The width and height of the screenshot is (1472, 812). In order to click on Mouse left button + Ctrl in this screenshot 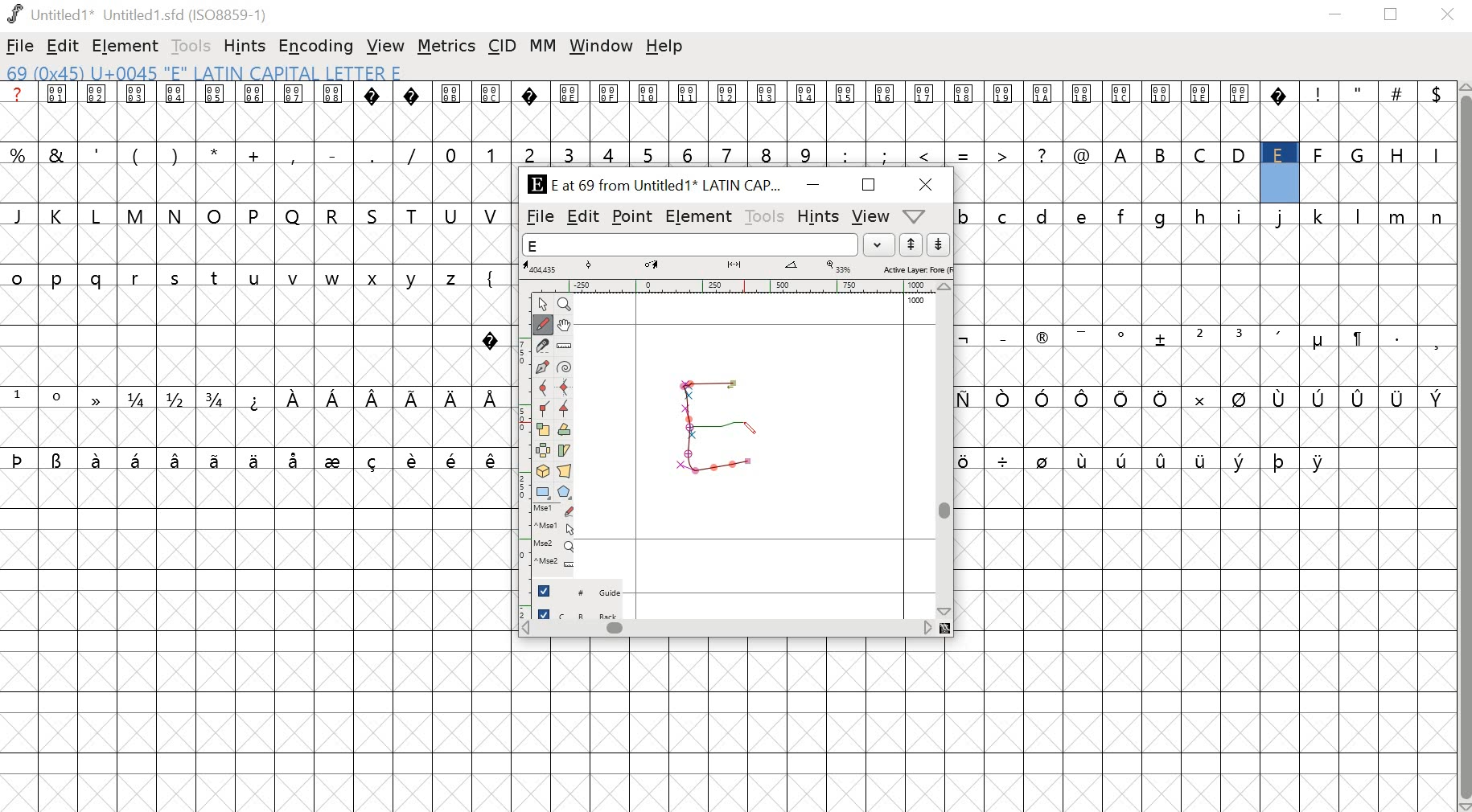, I will do `click(553, 529)`.